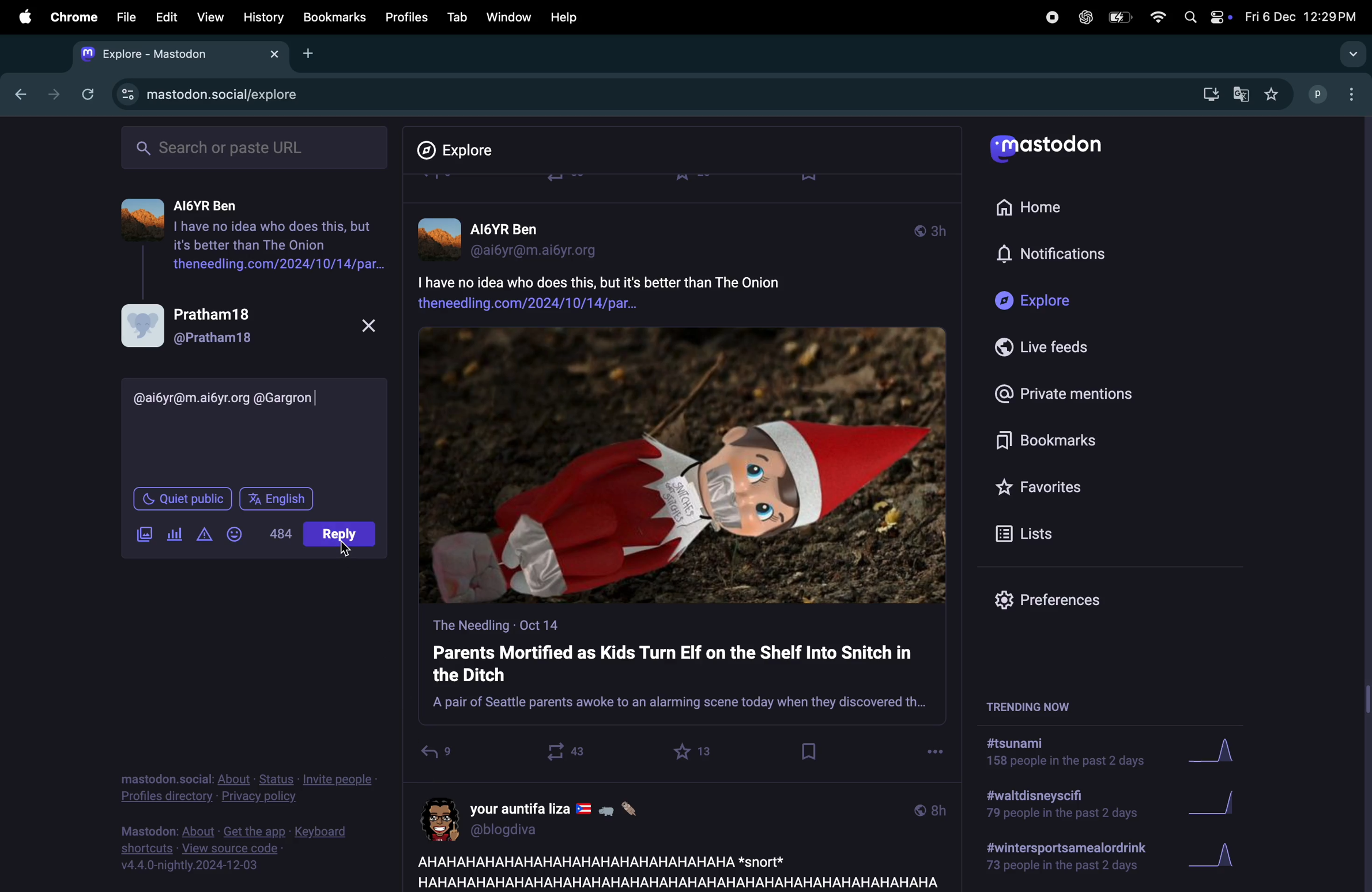 Image resolution: width=1372 pixels, height=892 pixels. Describe the element at coordinates (1030, 533) in the screenshot. I see `lists` at that location.